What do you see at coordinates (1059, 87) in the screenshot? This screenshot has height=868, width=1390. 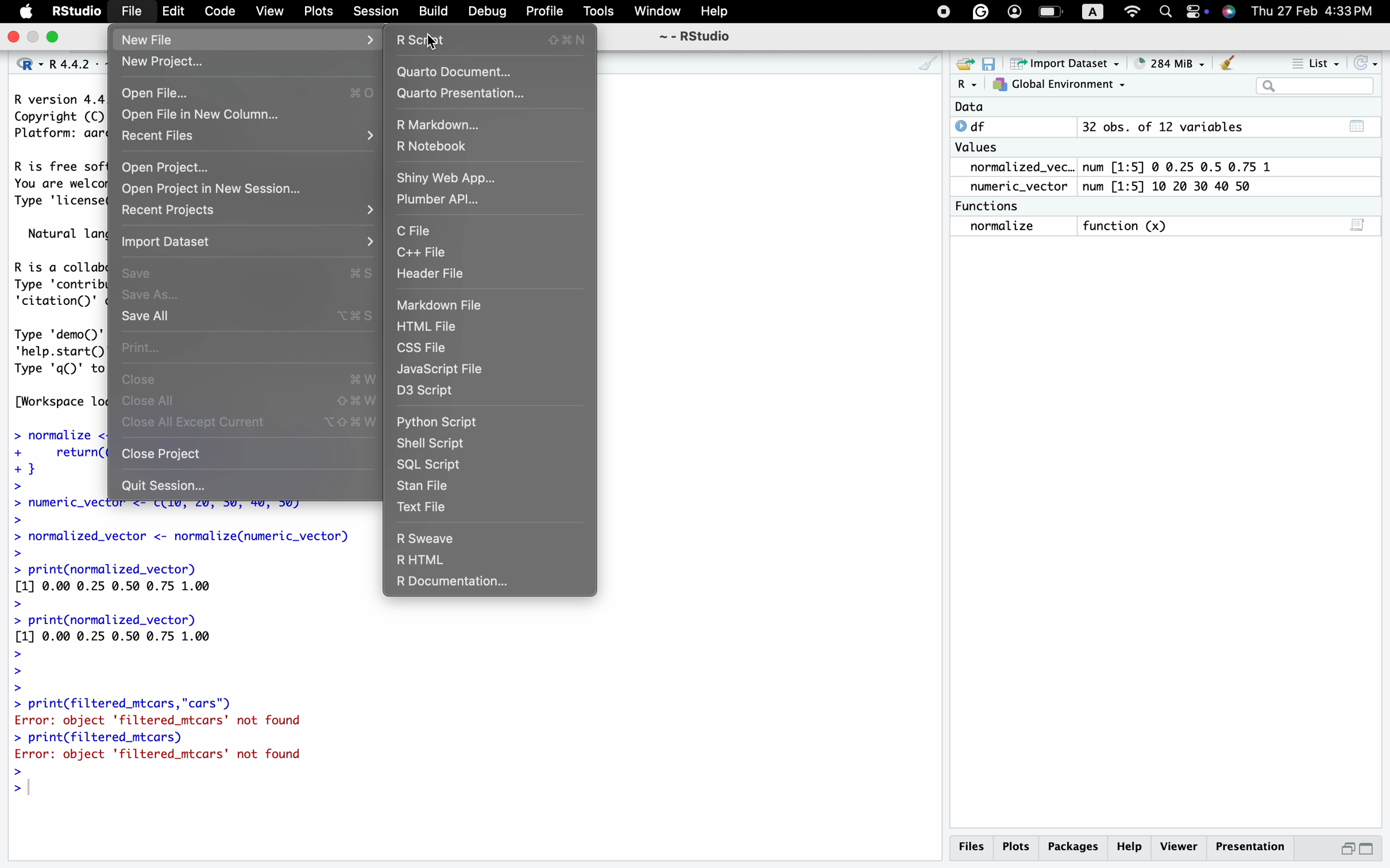 I see `GLOBAL ENVIRONEMENT` at bounding box center [1059, 87].